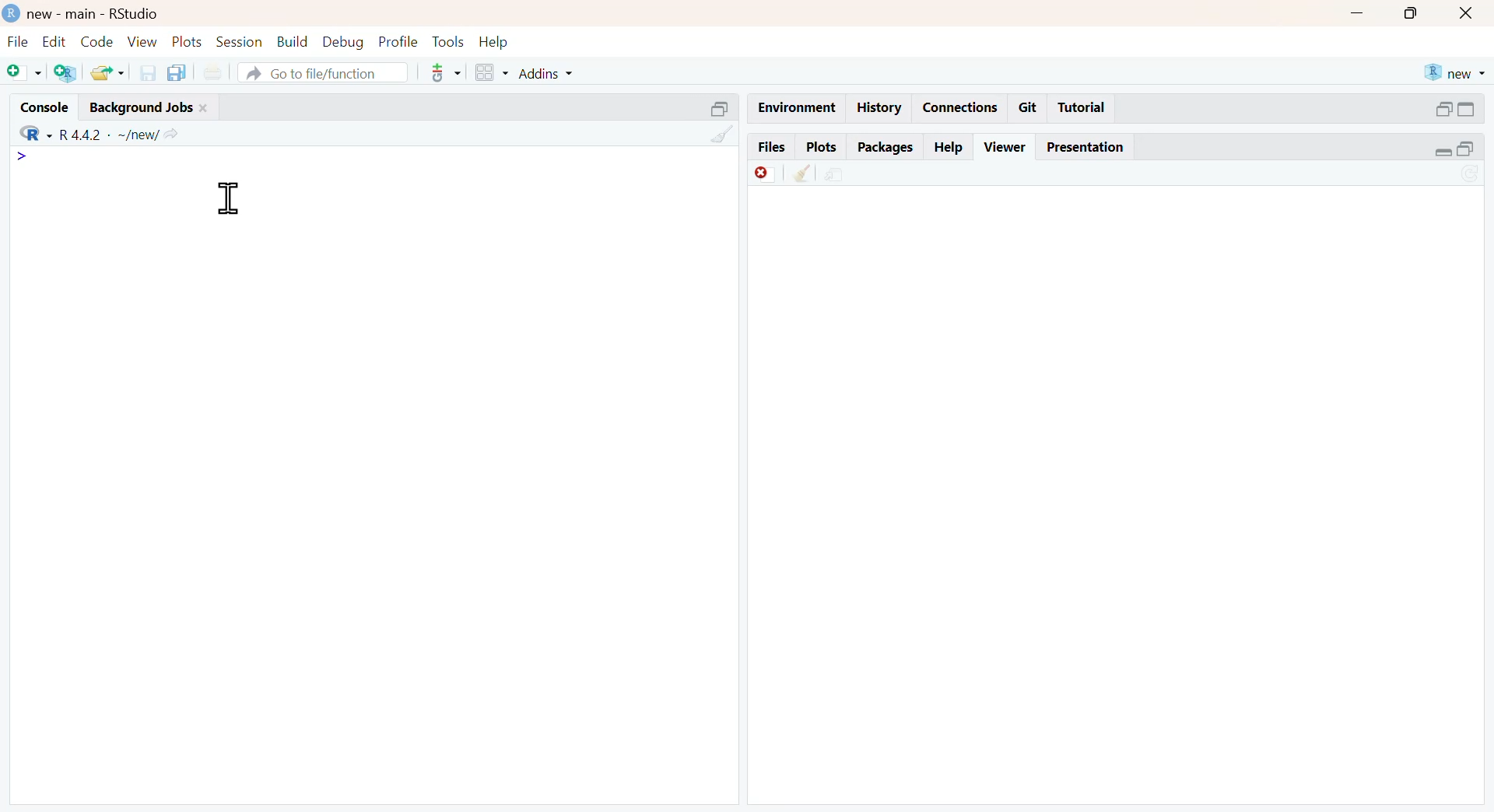  What do you see at coordinates (23, 156) in the screenshot?
I see `>` at bounding box center [23, 156].